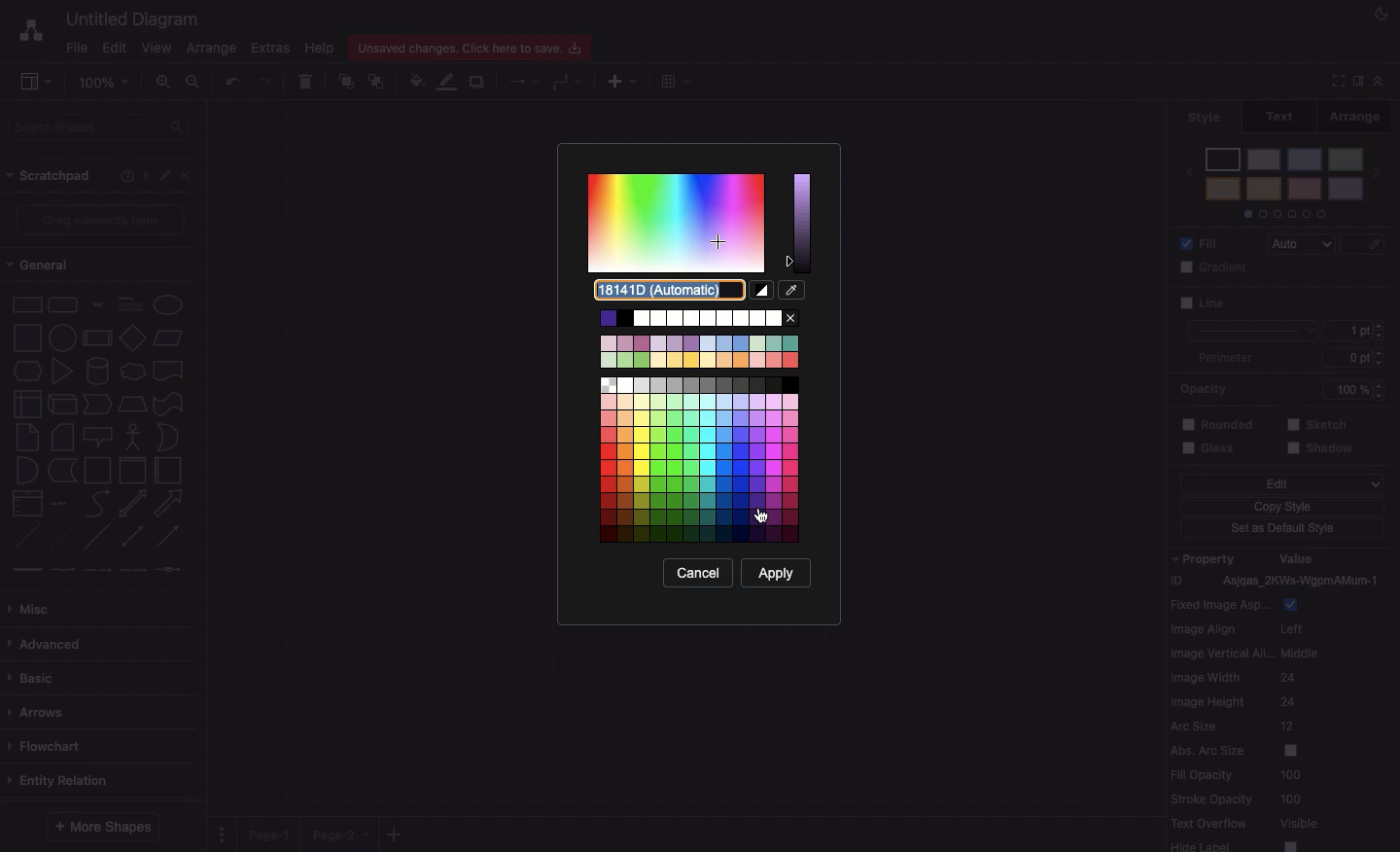  I want to click on Arrange, so click(213, 50).